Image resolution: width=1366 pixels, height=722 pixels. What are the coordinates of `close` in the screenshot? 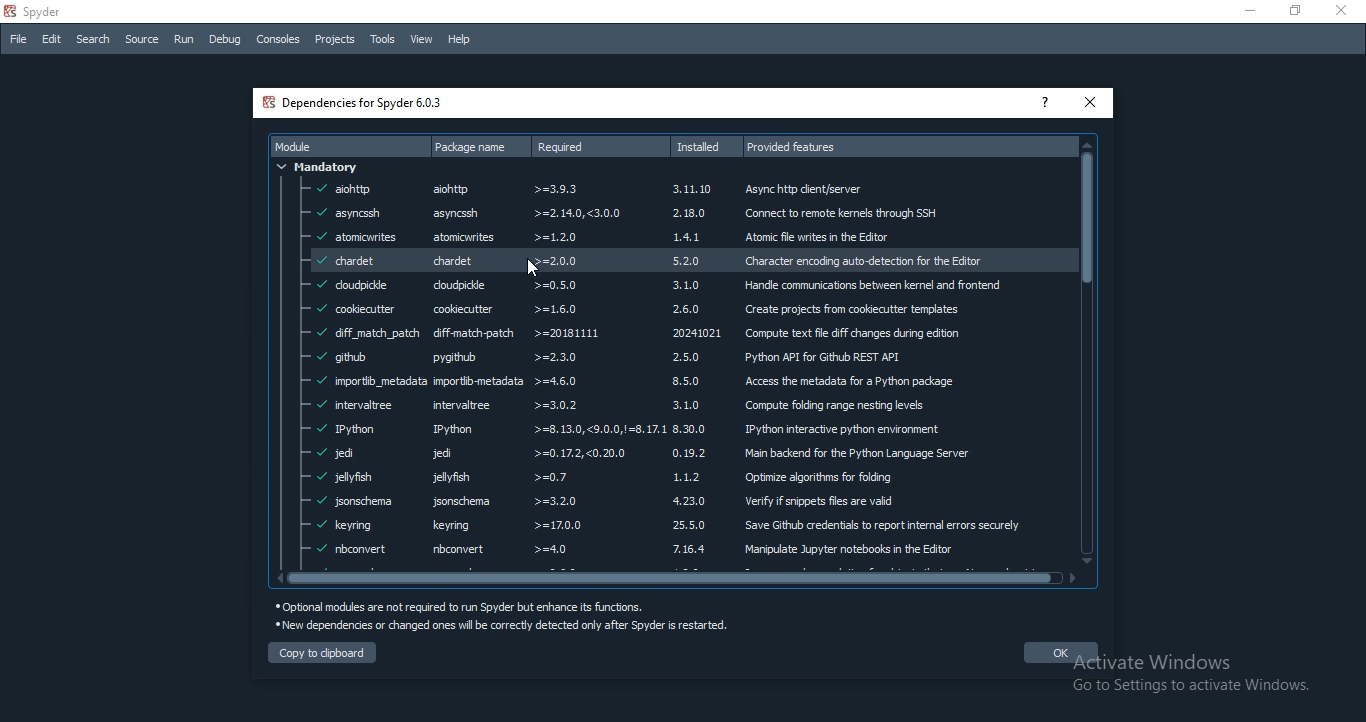 It's located at (1090, 101).